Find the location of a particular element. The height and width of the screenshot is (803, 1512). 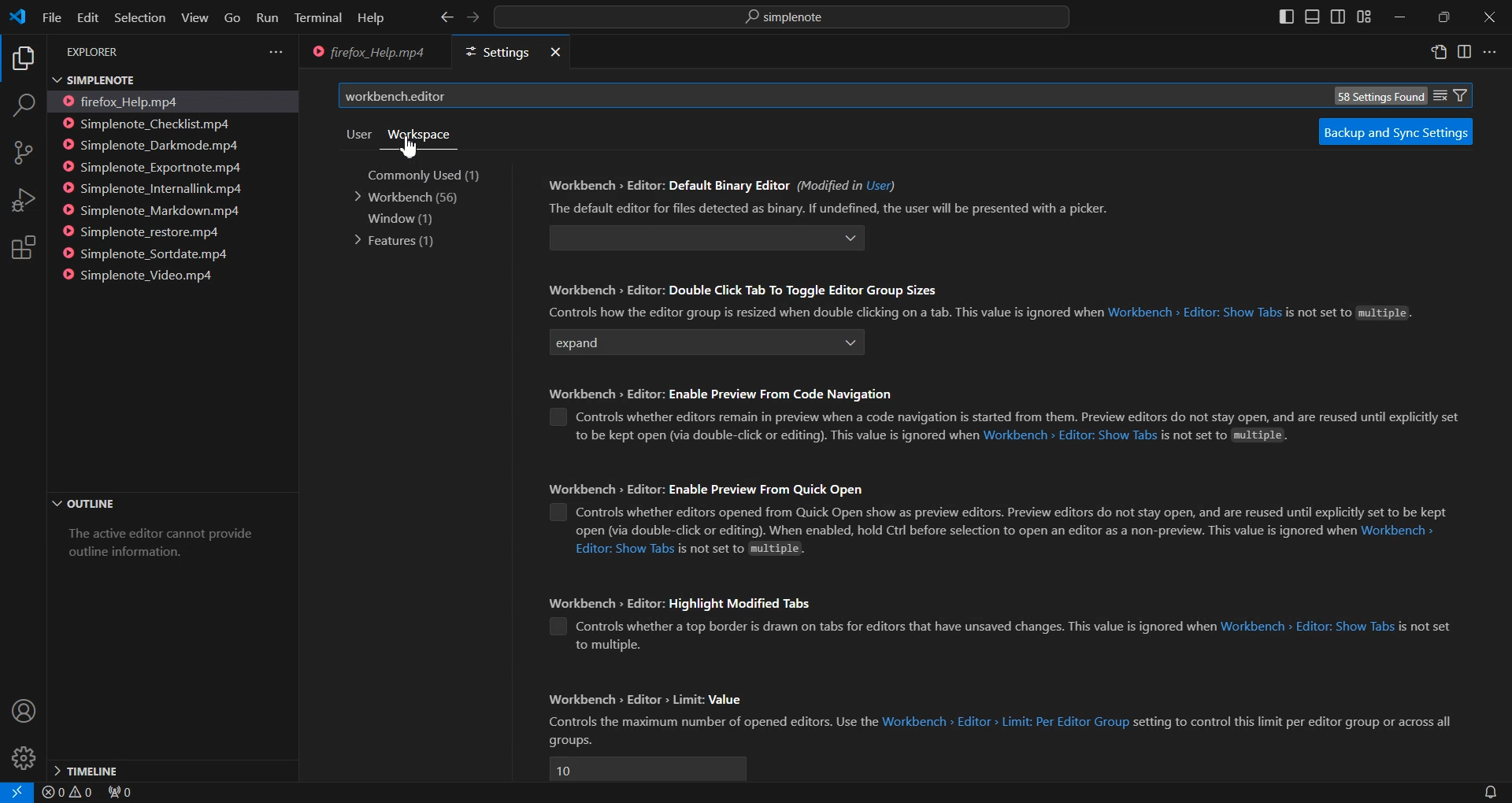

Controls whether a top border is drawn on tabs for editors that have unsaved changes. This value is ignored when is located at coordinates (895, 627).